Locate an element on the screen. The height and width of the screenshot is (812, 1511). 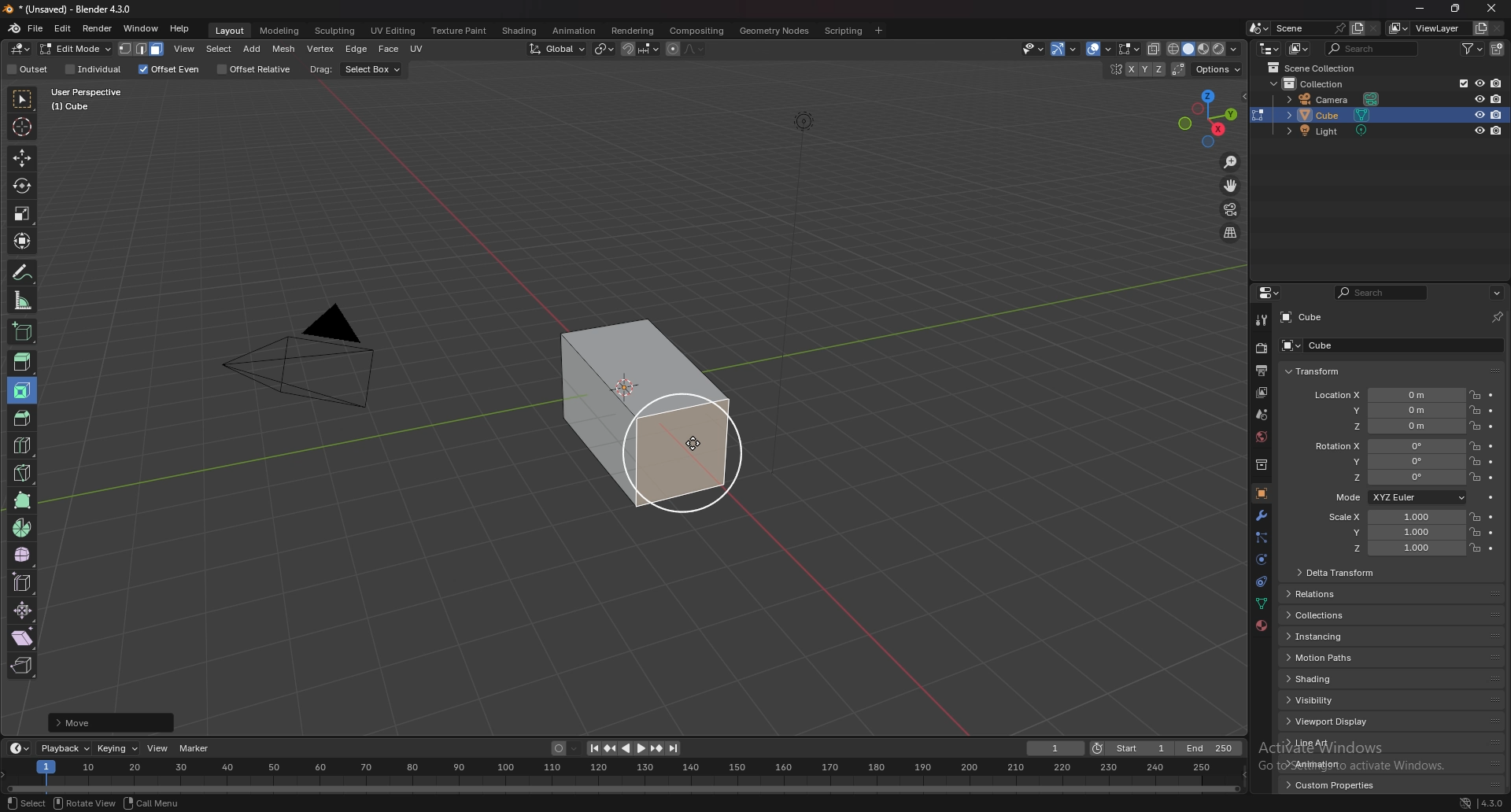
proportional editing falloff is located at coordinates (695, 49).